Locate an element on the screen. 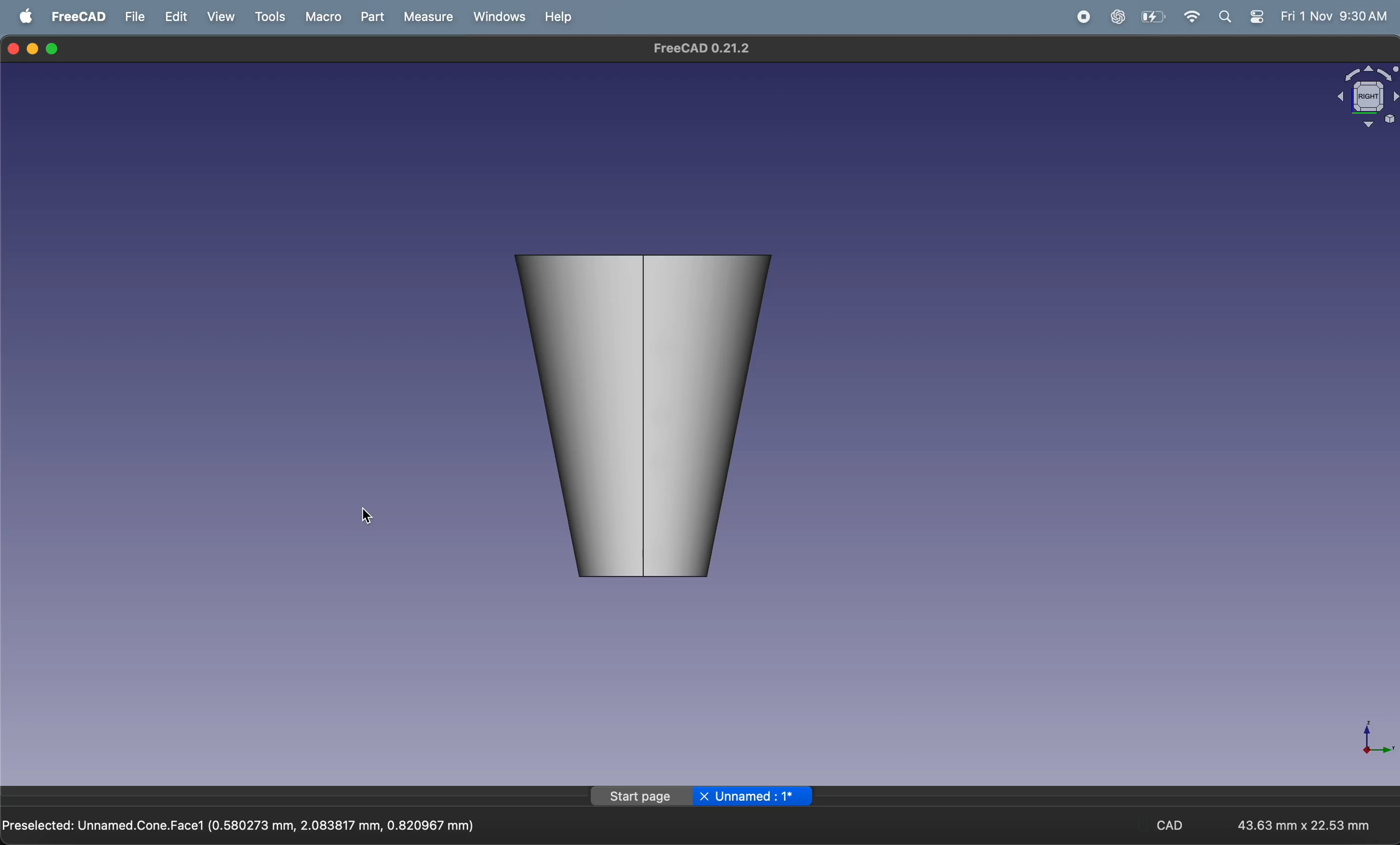  view is located at coordinates (224, 16).